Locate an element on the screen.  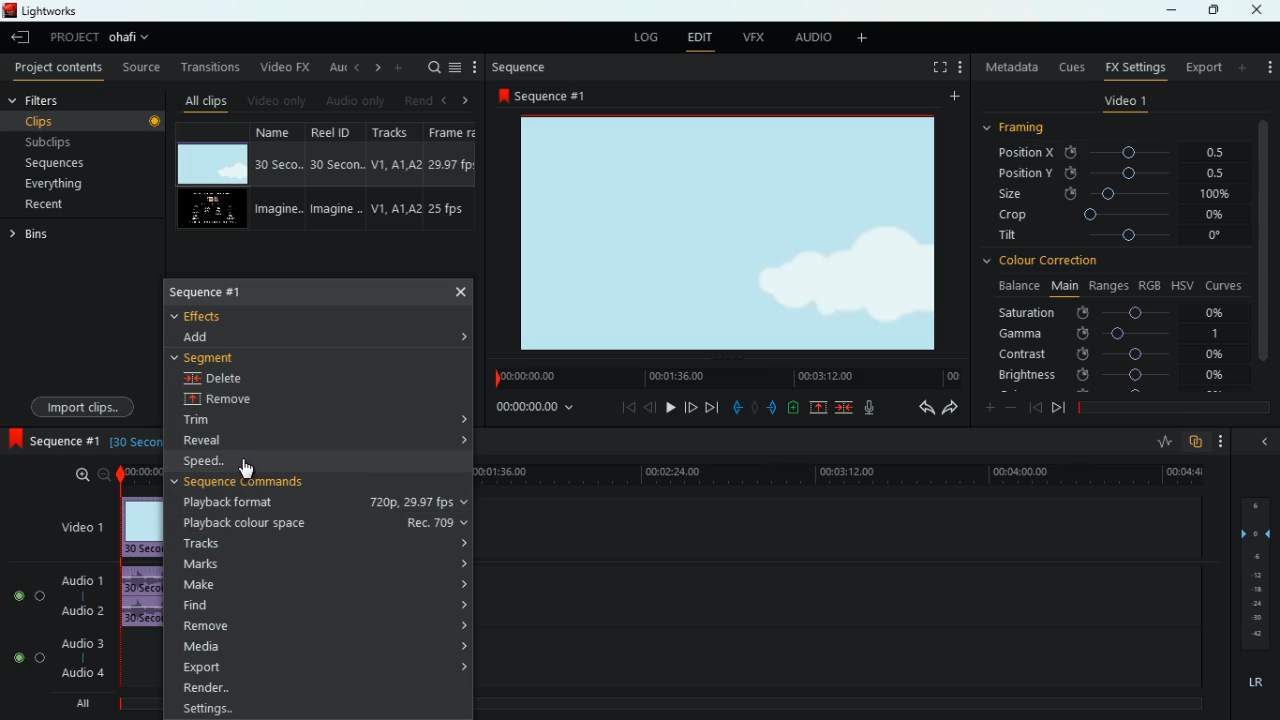
settings is located at coordinates (260, 709).